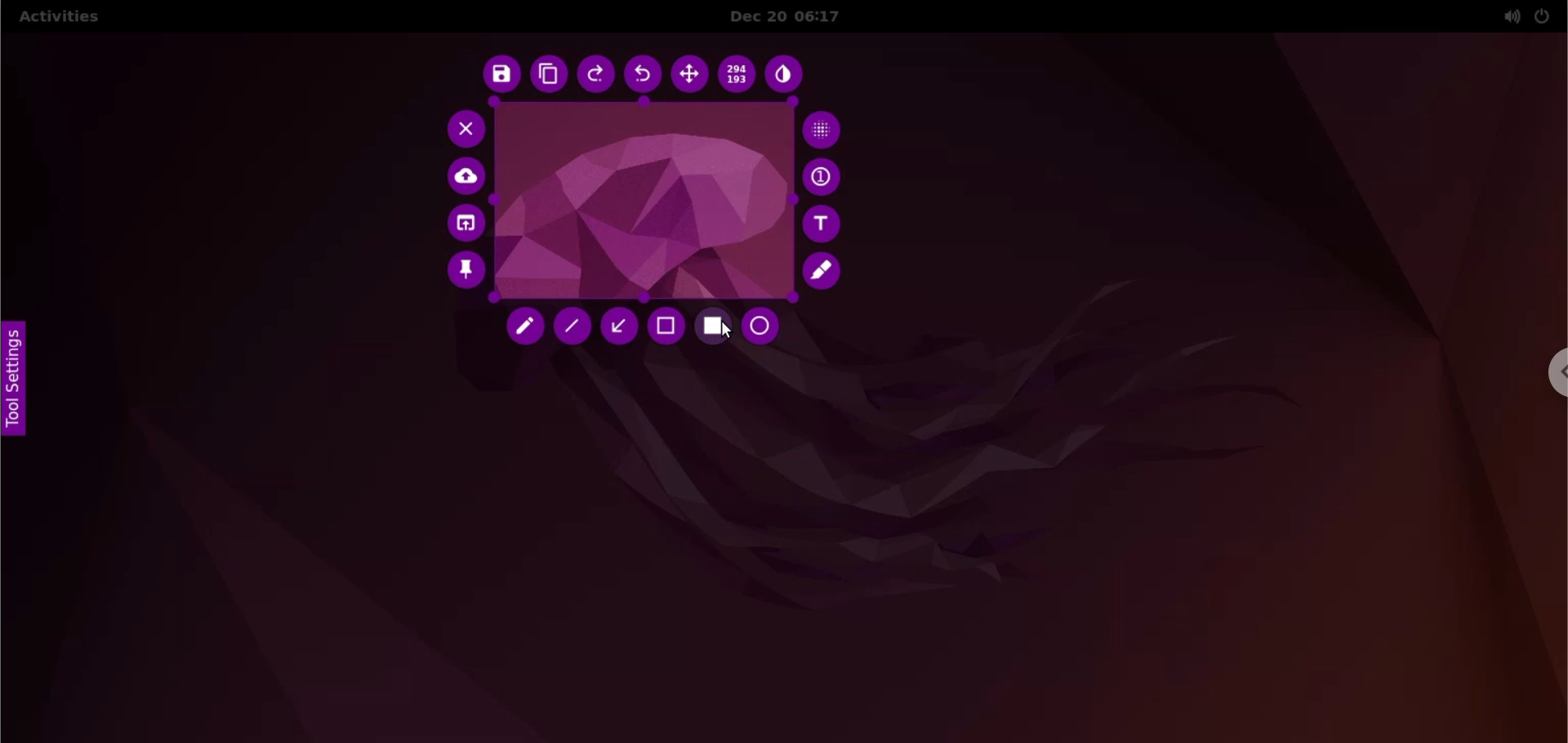 The image size is (1568, 743). I want to click on tool settings, so click(20, 380).